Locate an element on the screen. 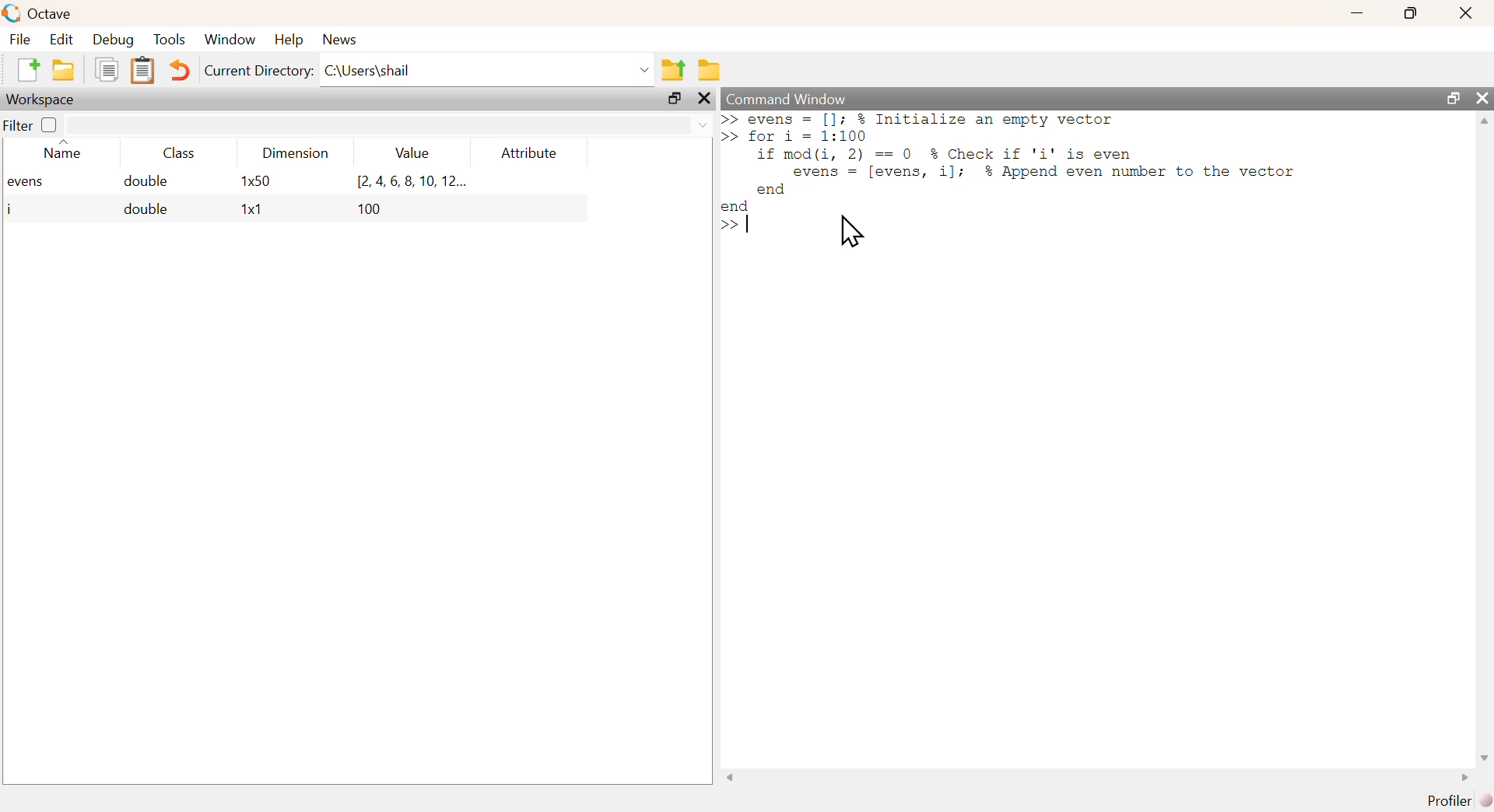 This screenshot has height=812, width=1494. copy is located at coordinates (105, 72).